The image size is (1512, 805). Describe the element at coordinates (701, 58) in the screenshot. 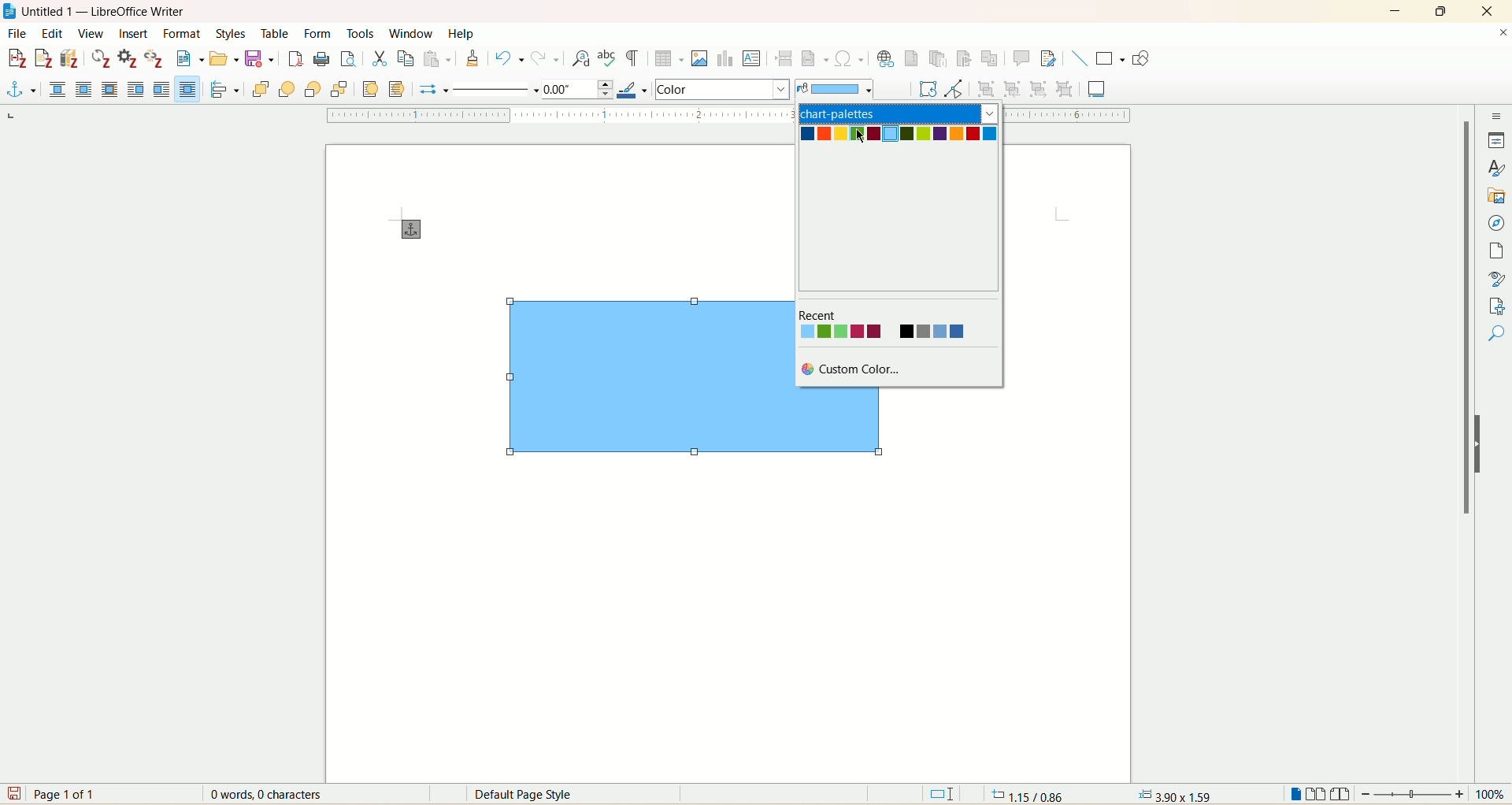

I see `insert images` at that location.